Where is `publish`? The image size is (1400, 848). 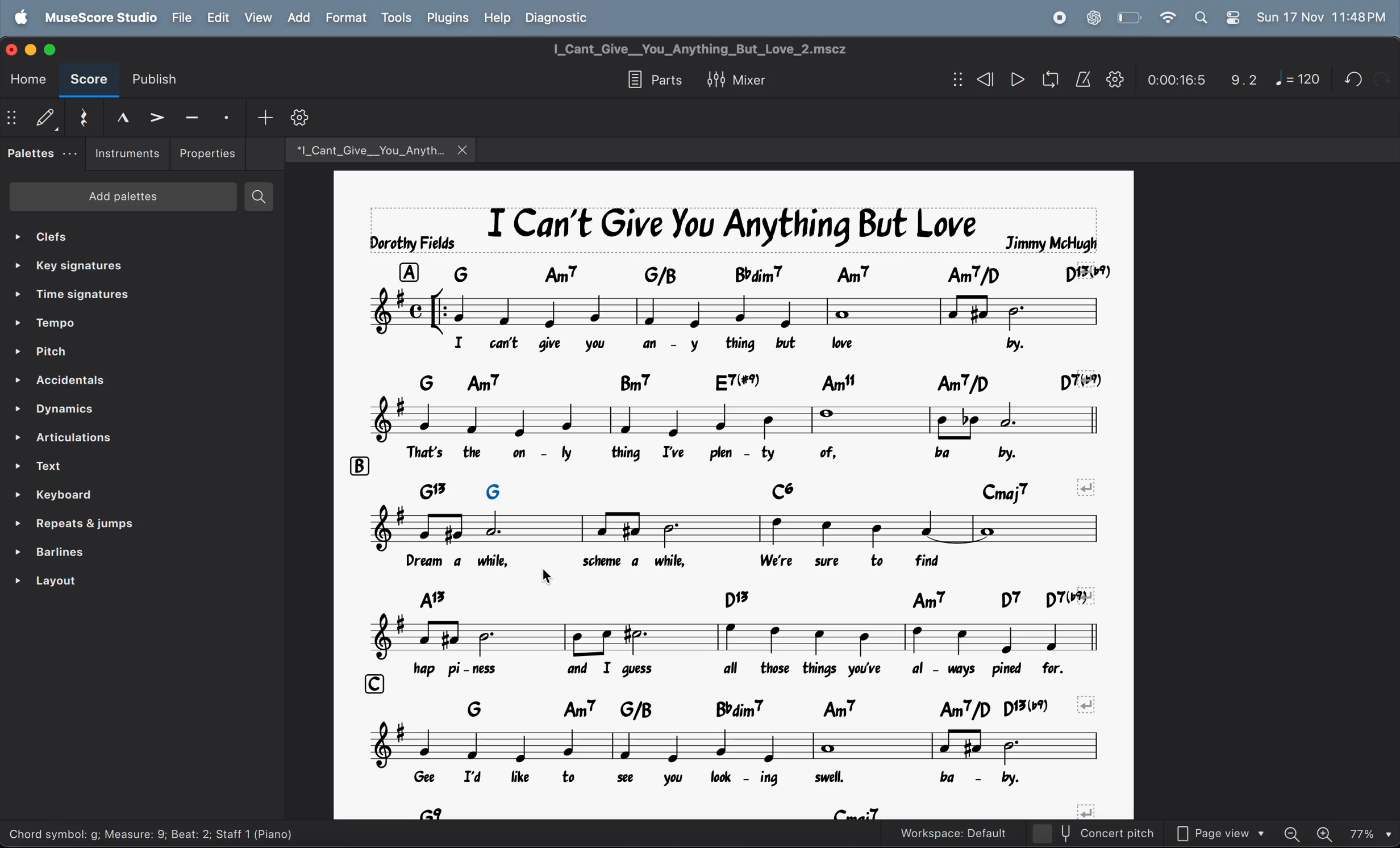 publish is located at coordinates (161, 76).